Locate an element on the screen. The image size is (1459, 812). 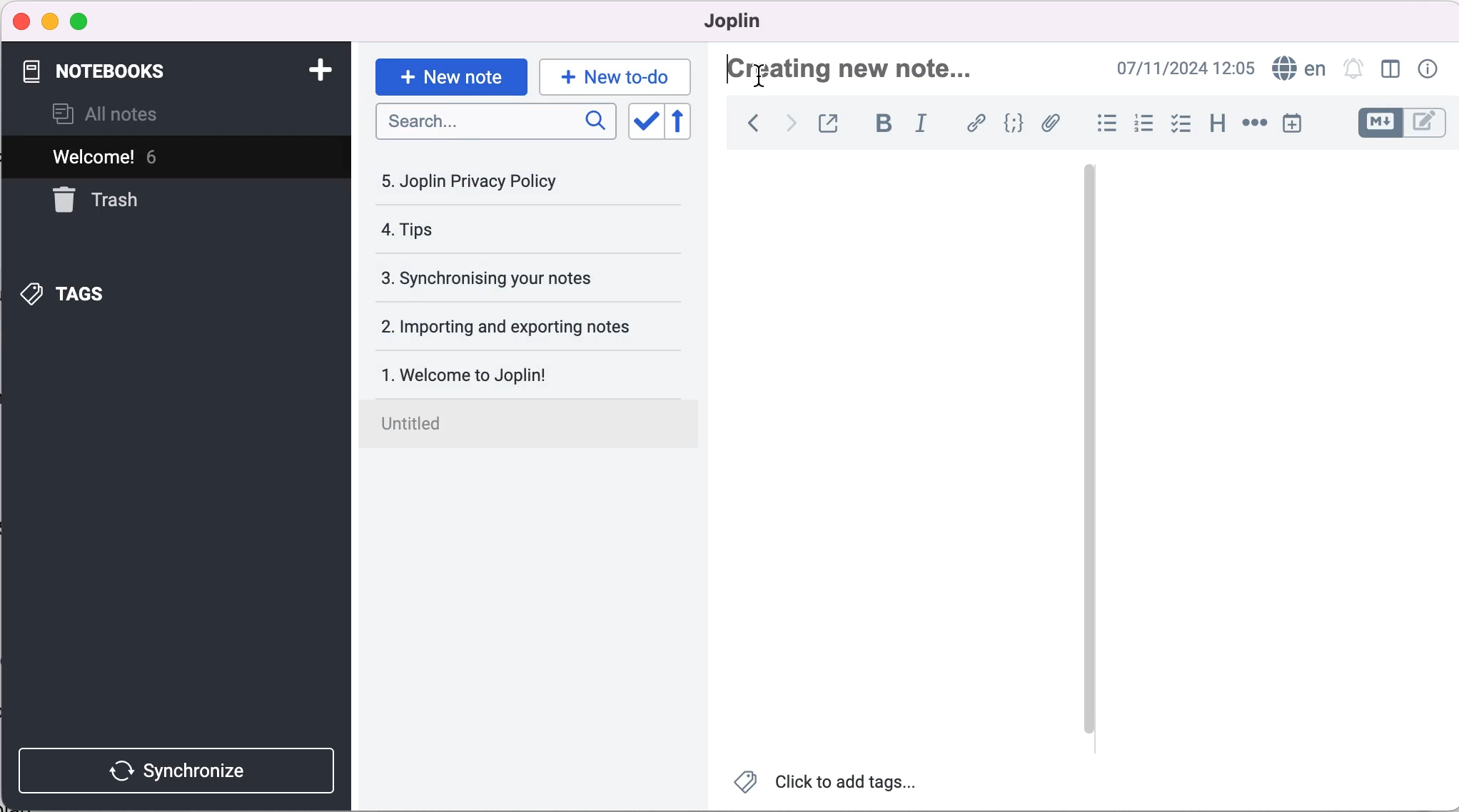
numbered list is located at coordinates (1139, 123).